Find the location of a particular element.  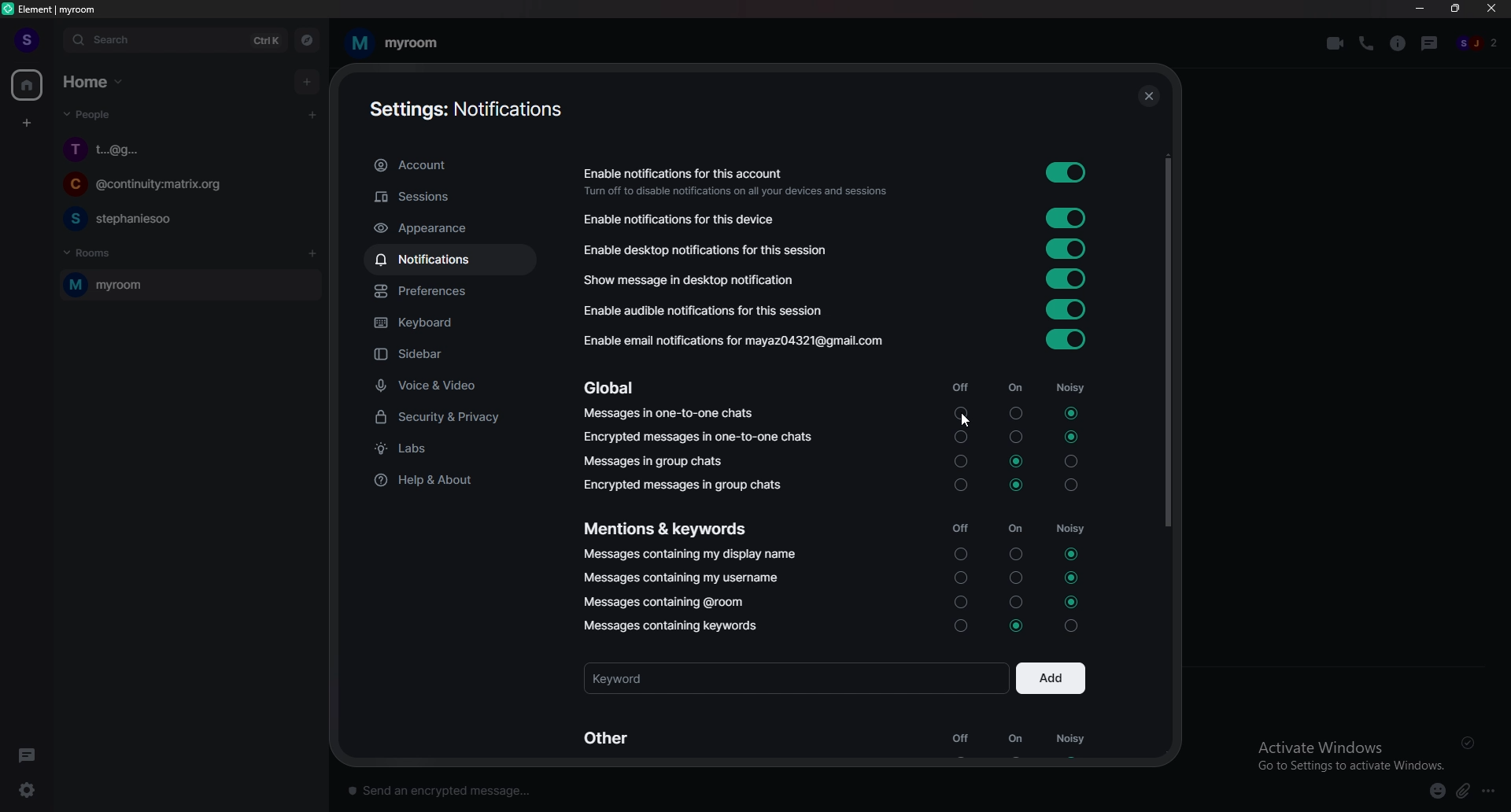

Messages containing my username is located at coordinates (689, 578).